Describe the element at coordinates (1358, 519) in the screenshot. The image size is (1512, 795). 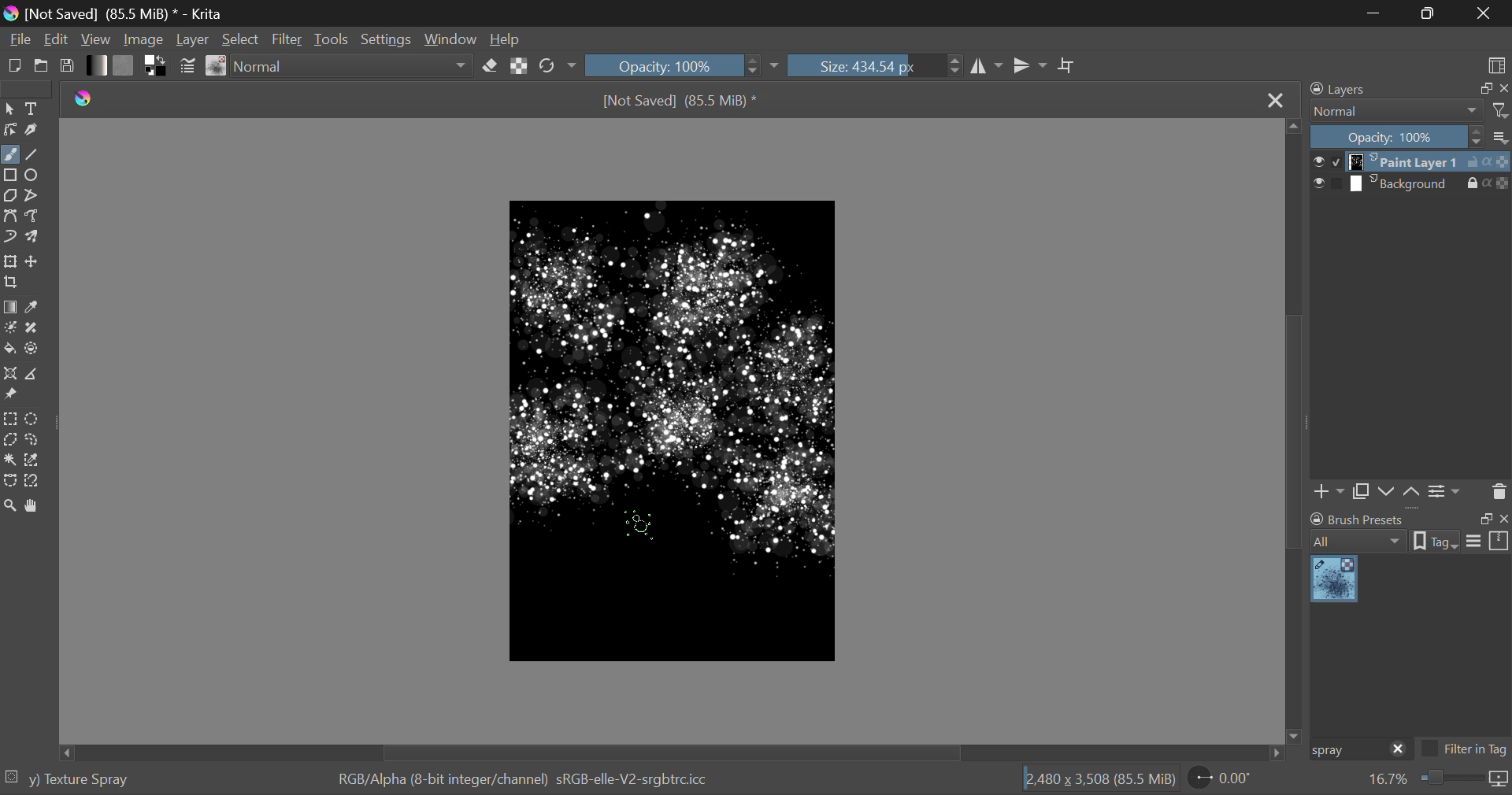
I see `brush presets ` at that location.